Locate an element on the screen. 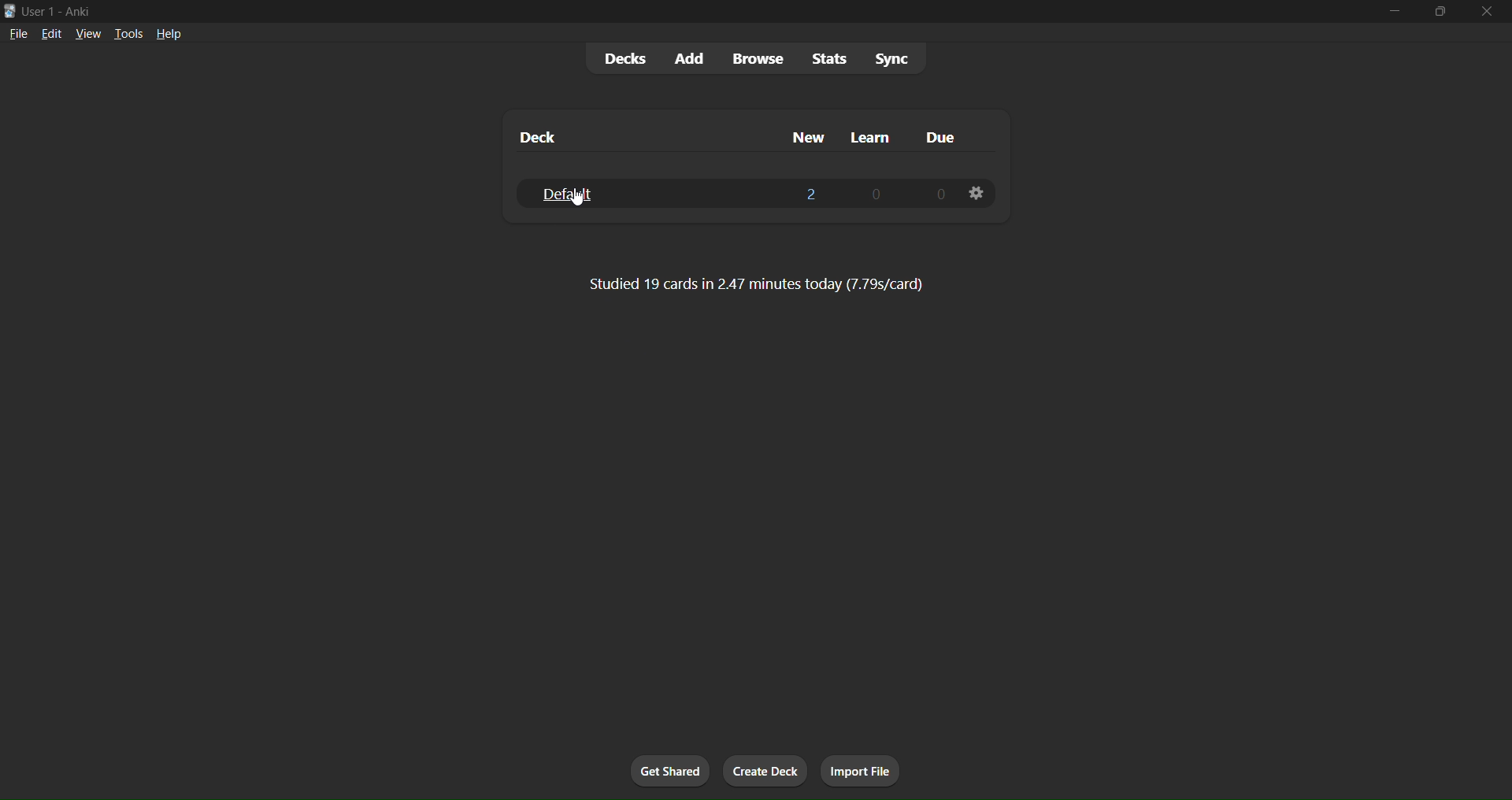 This screenshot has width=1512, height=800. tools is located at coordinates (130, 31).